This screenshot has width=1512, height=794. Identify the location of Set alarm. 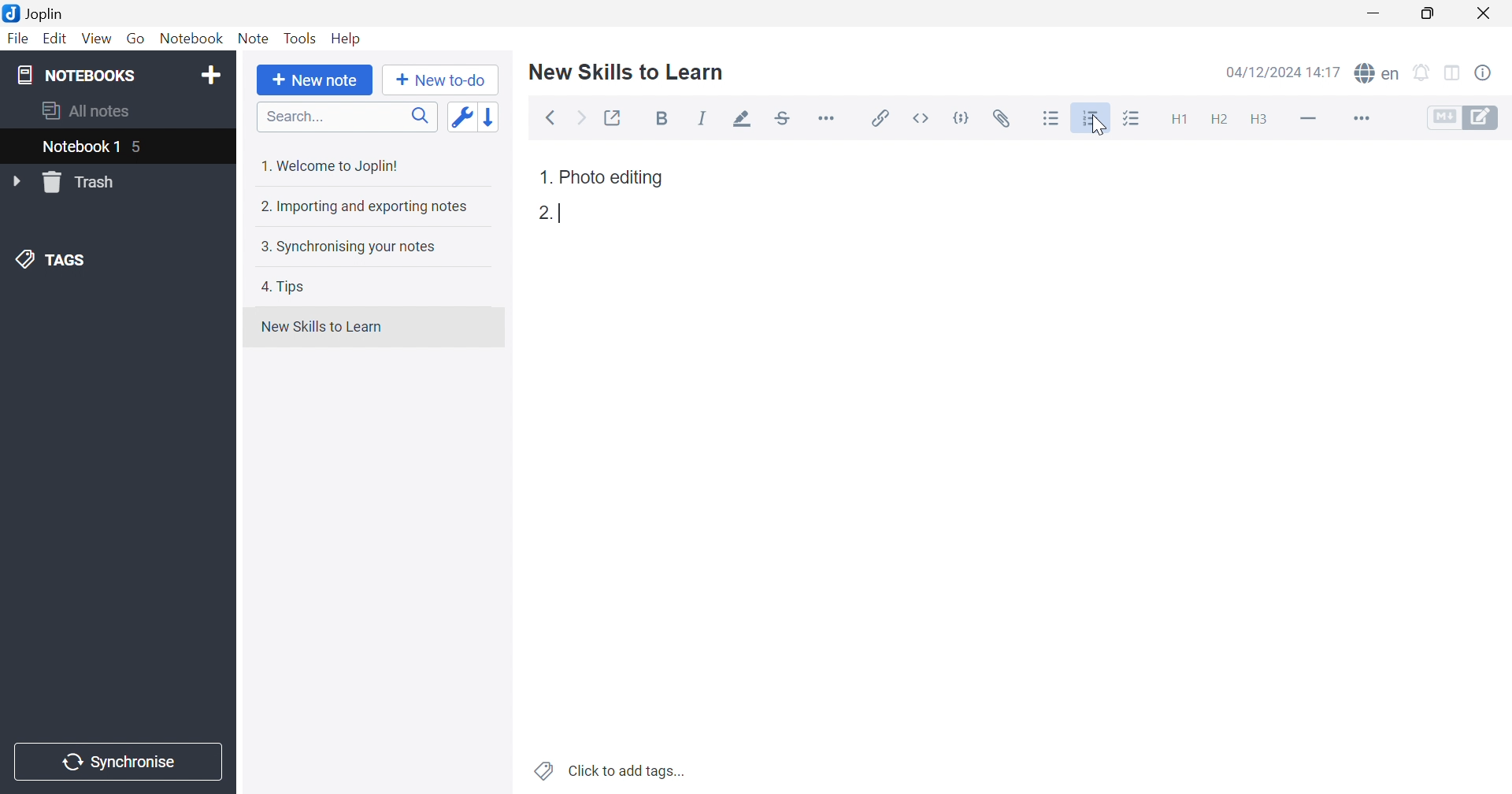
(1422, 73).